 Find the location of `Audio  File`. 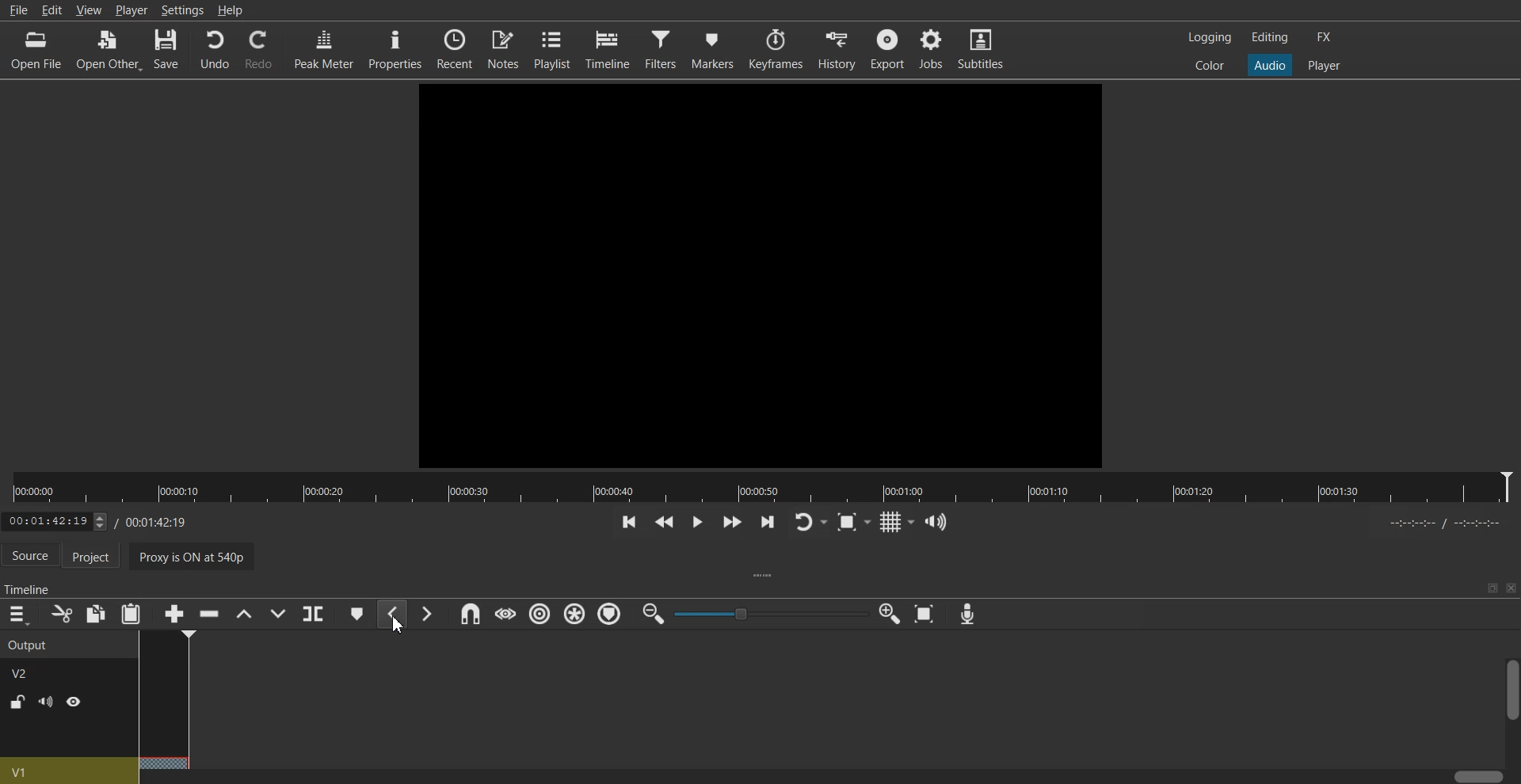

Audio  File is located at coordinates (162, 698).